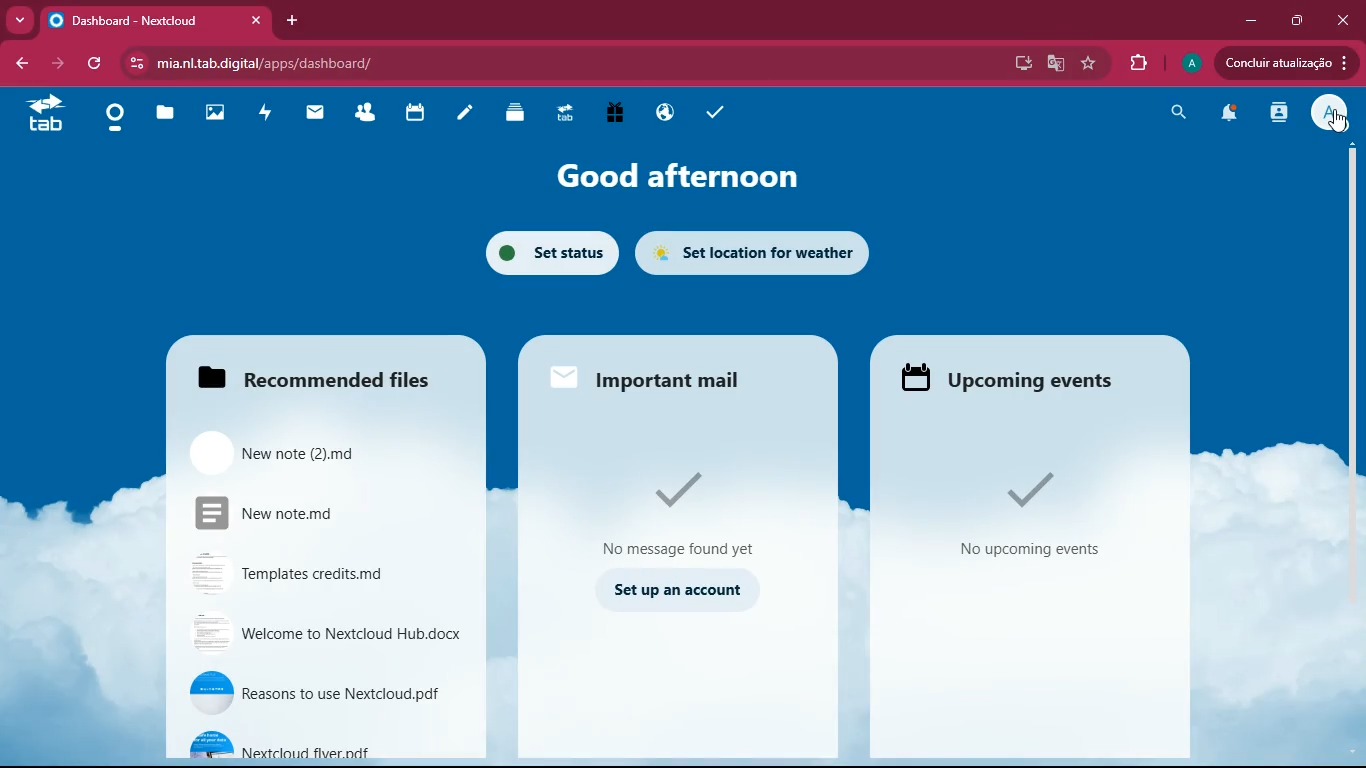 The width and height of the screenshot is (1366, 768). What do you see at coordinates (569, 114) in the screenshot?
I see `tab` at bounding box center [569, 114].